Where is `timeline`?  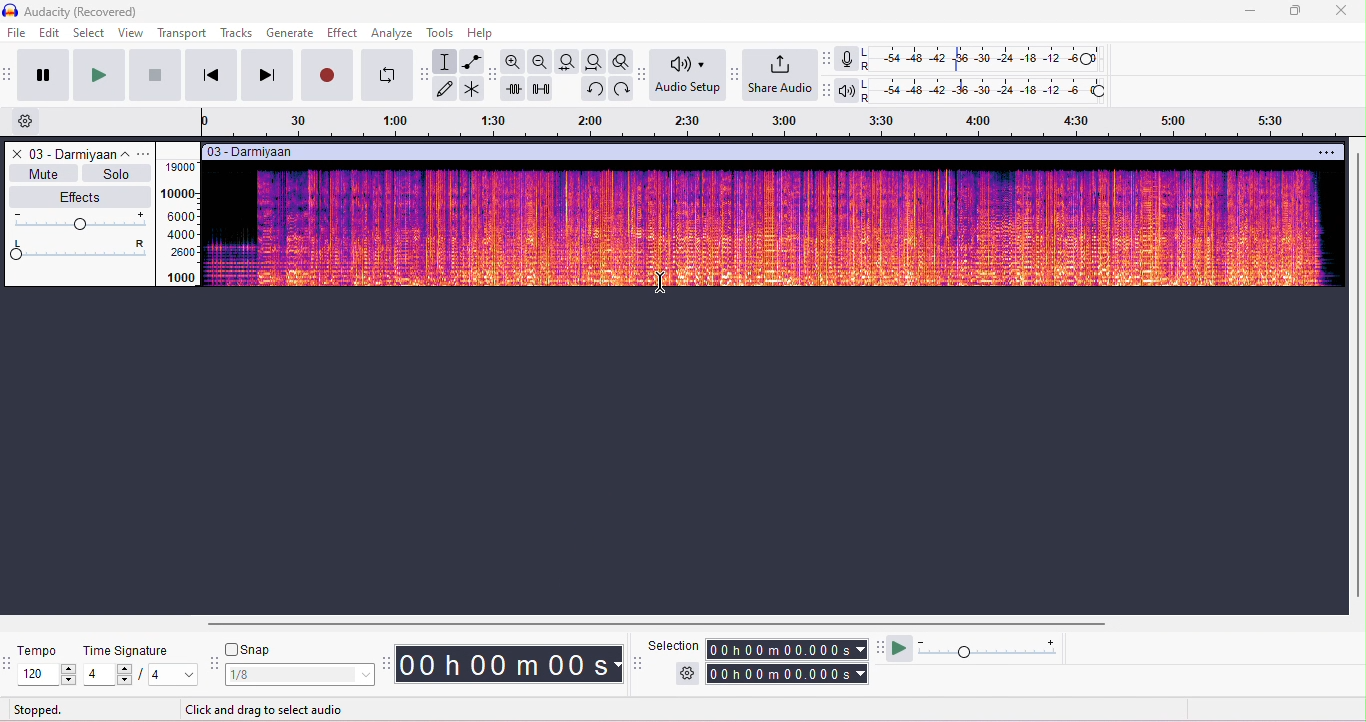
timeline is located at coordinates (779, 122).